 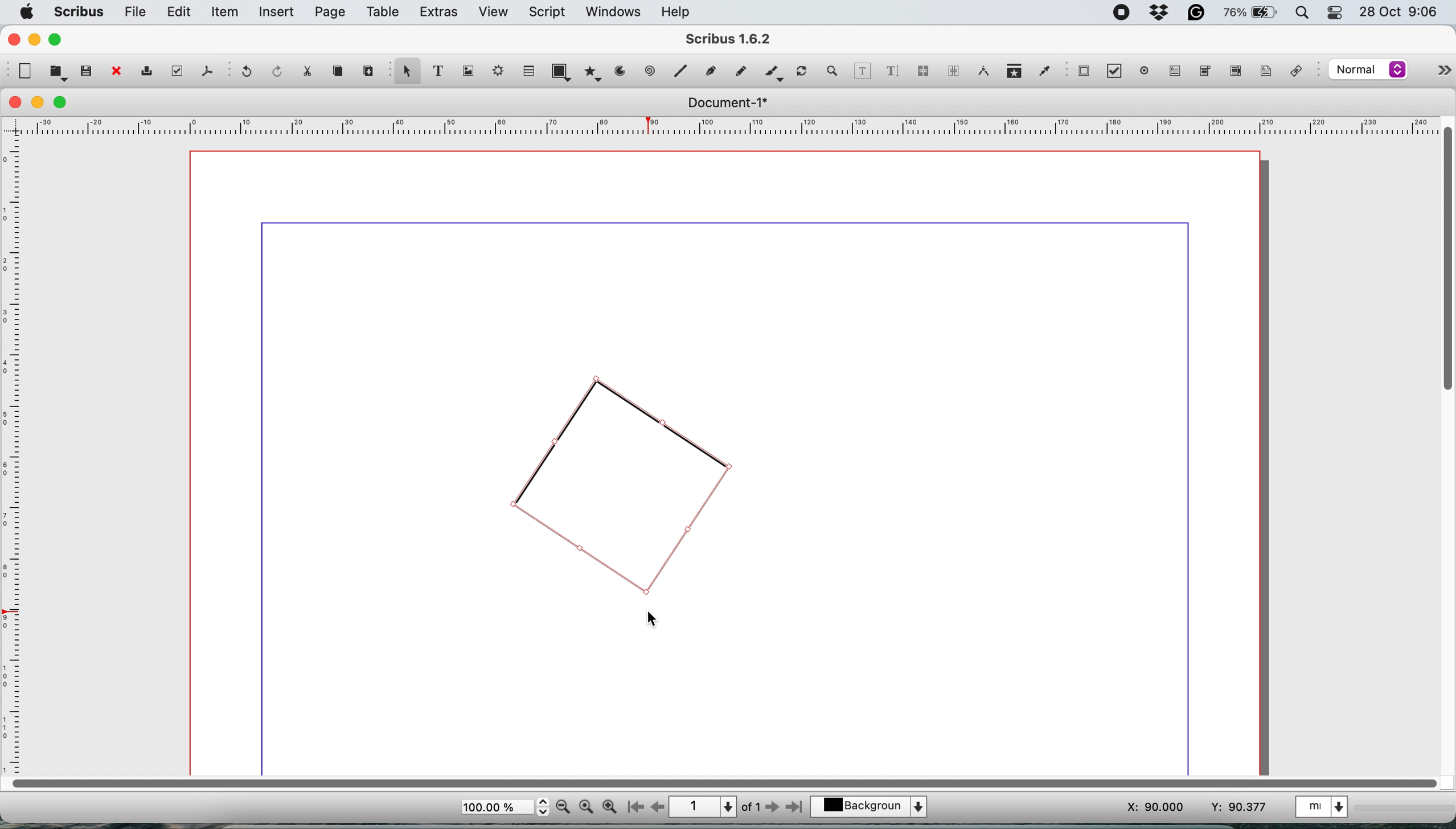 What do you see at coordinates (493, 12) in the screenshot?
I see `view` at bounding box center [493, 12].